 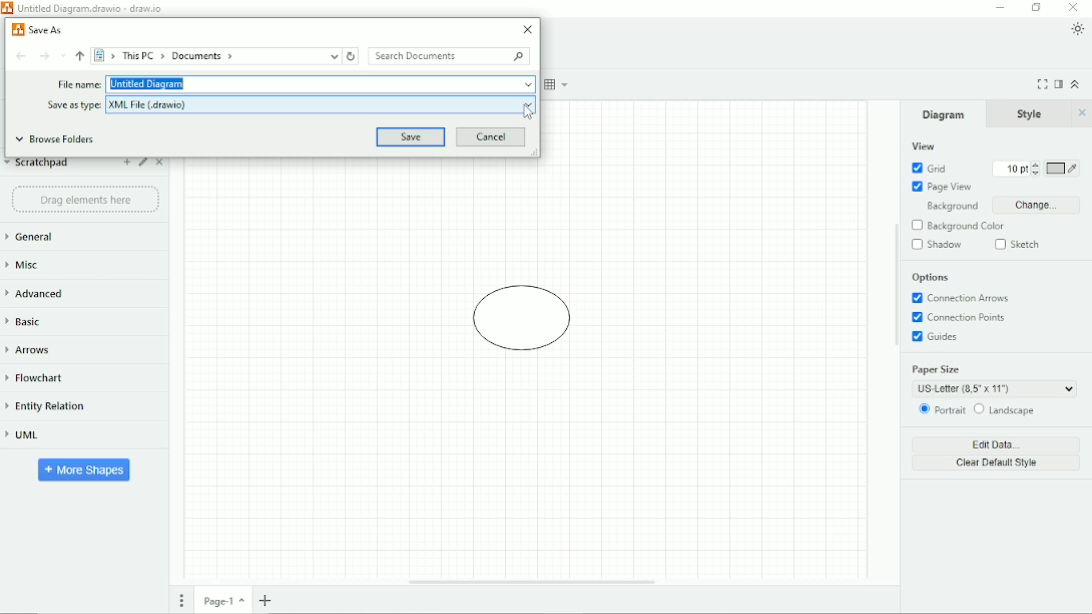 I want to click on Save, so click(x=411, y=138).